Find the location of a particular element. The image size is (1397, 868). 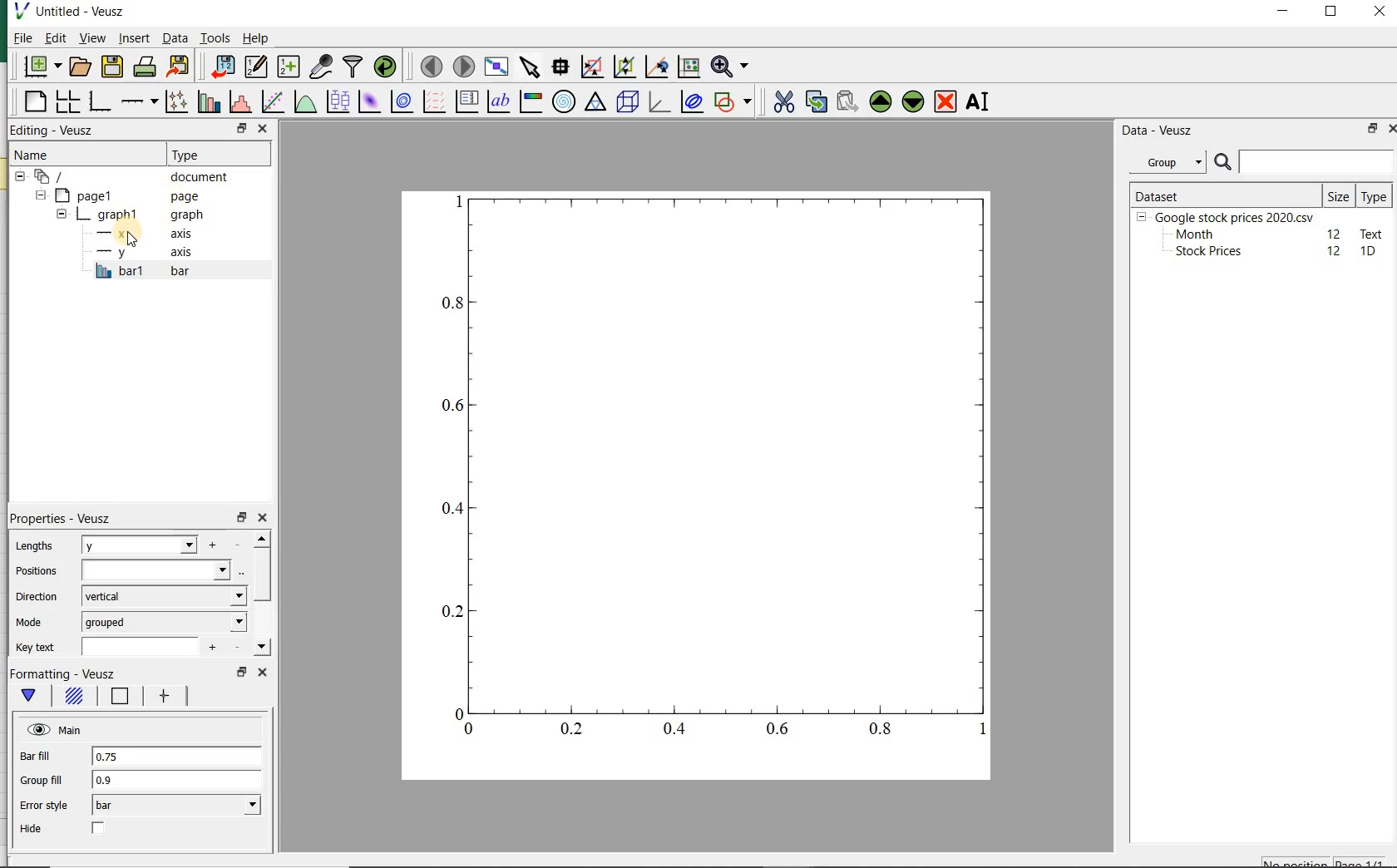

DATASET is located at coordinates (1224, 193).